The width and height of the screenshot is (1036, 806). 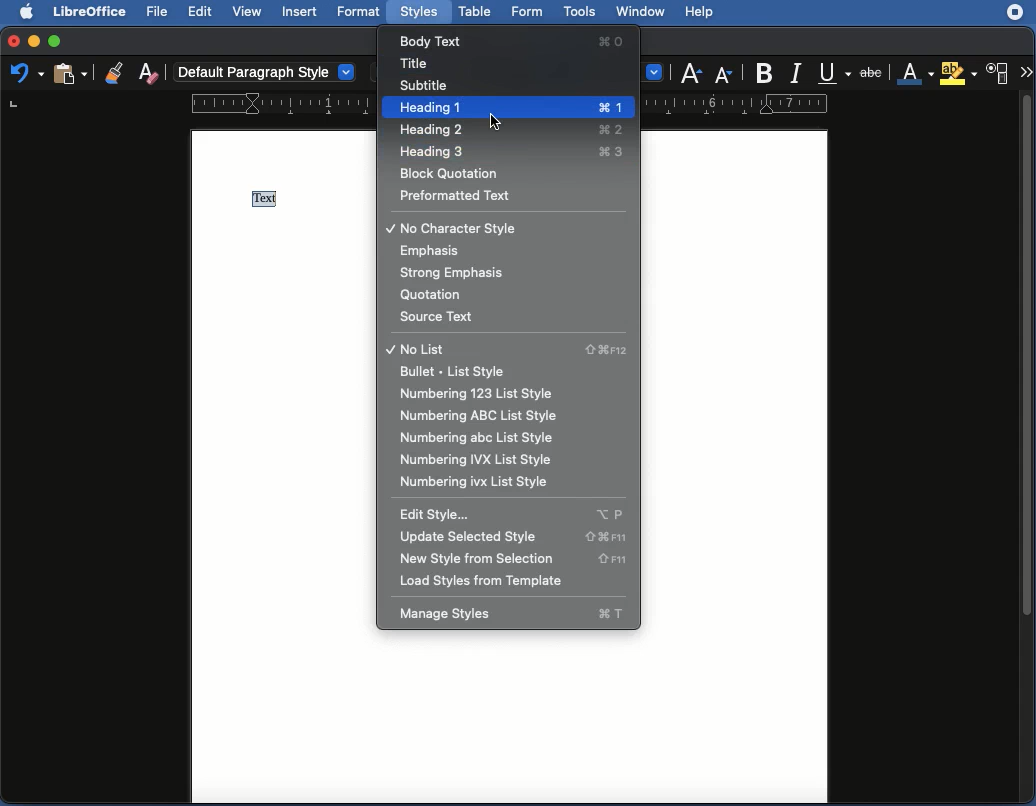 What do you see at coordinates (797, 74) in the screenshot?
I see `Italics` at bounding box center [797, 74].